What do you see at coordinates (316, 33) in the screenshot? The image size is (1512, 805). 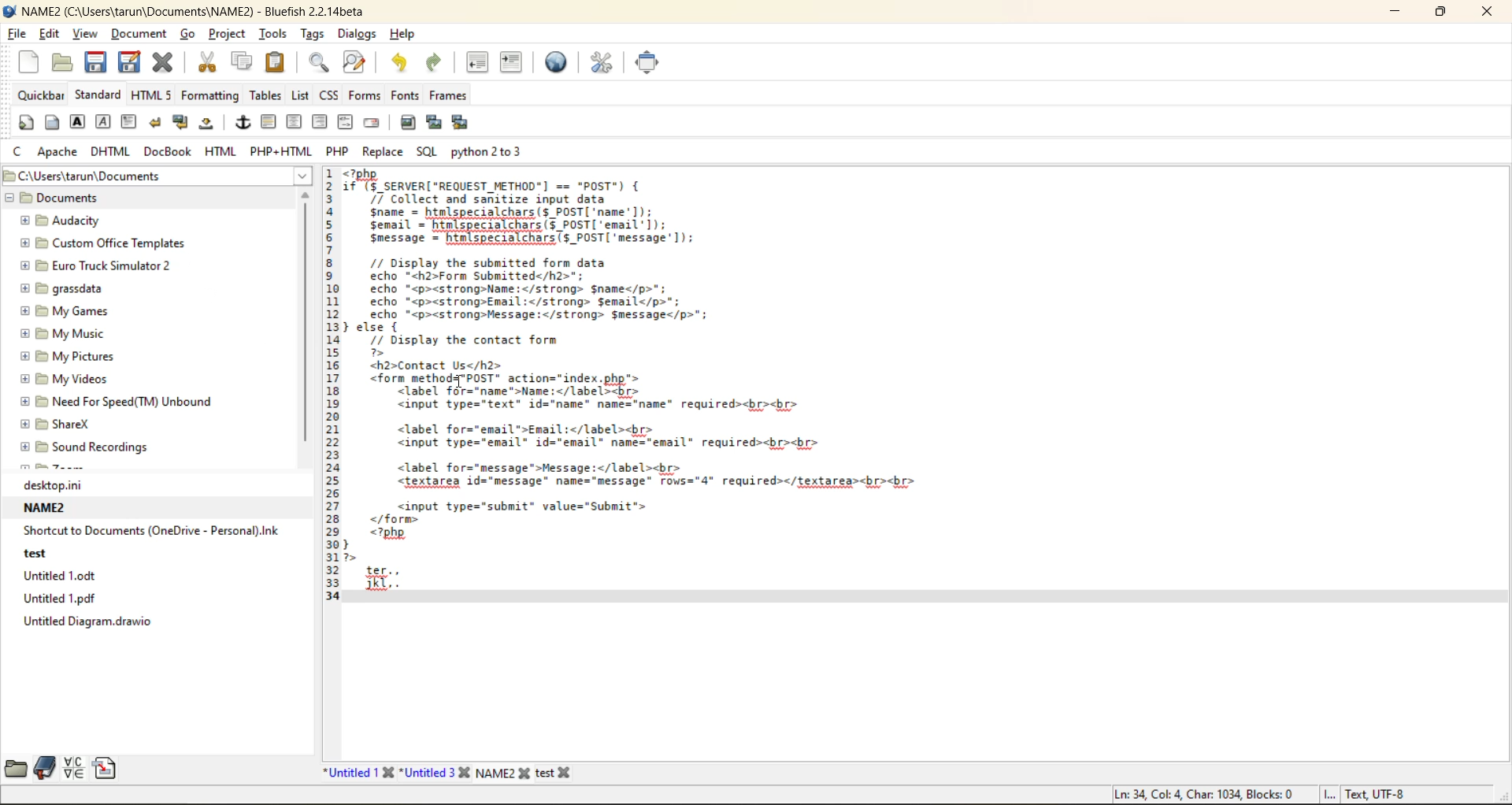 I see `tags` at bounding box center [316, 33].